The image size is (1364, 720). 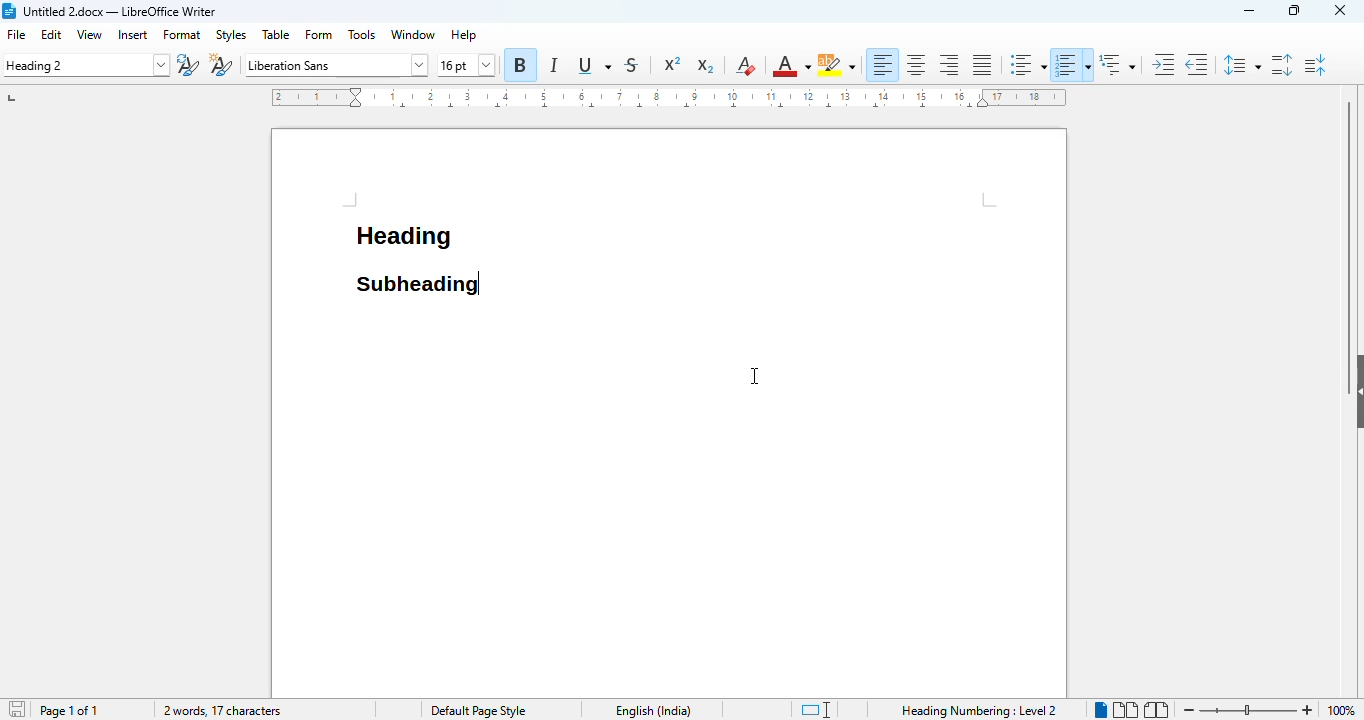 I want to click on align right, so click(x=948, y=65).